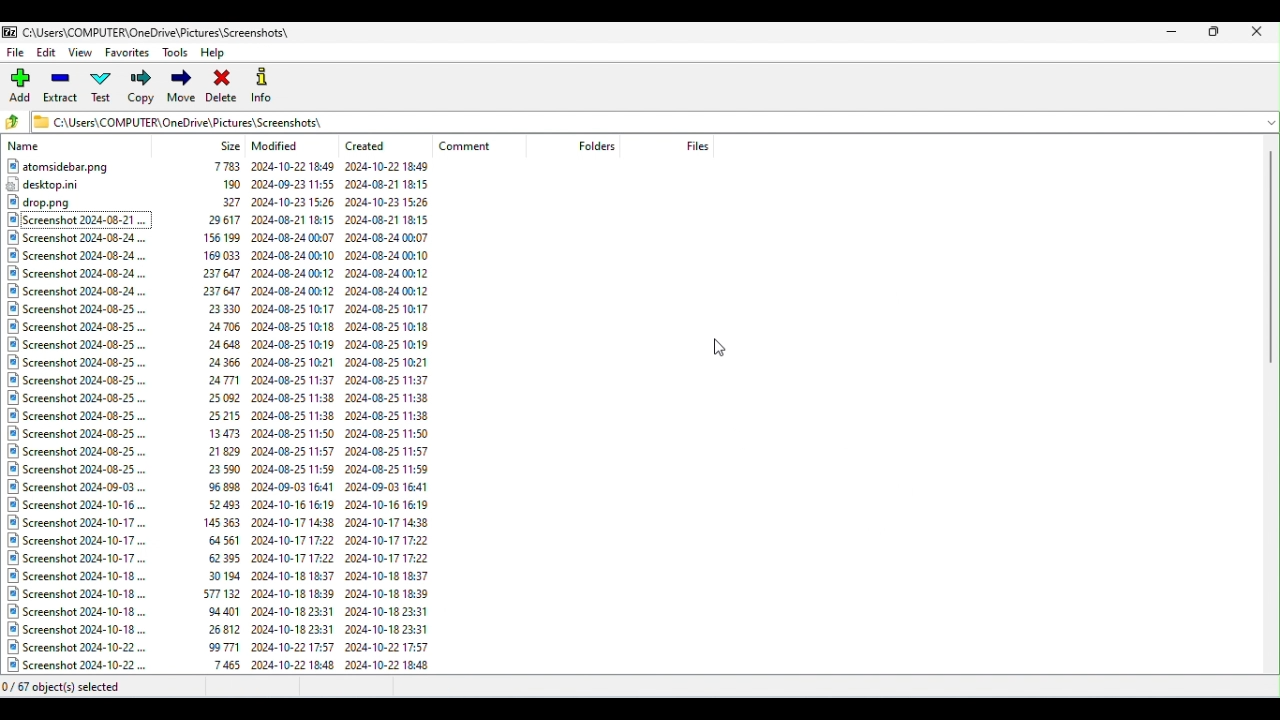 Image resolution: width=1280 pixels, height=720 pixels. Describe the element at coordinates (16, 123) in the screenshot. I see `Go back` at that location.